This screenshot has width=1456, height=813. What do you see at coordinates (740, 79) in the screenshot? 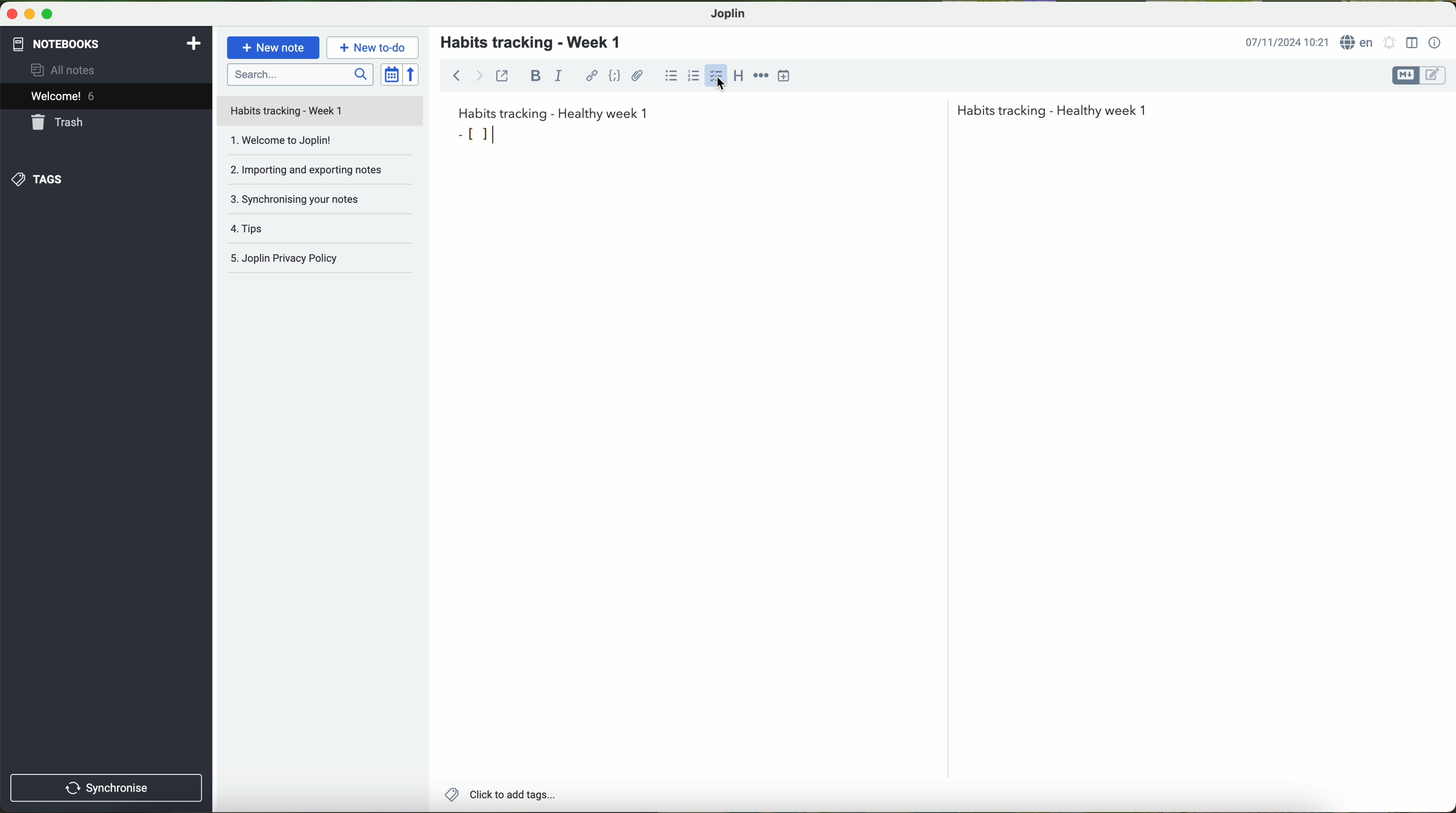
I see `heading` at bounding box center [740, 79].